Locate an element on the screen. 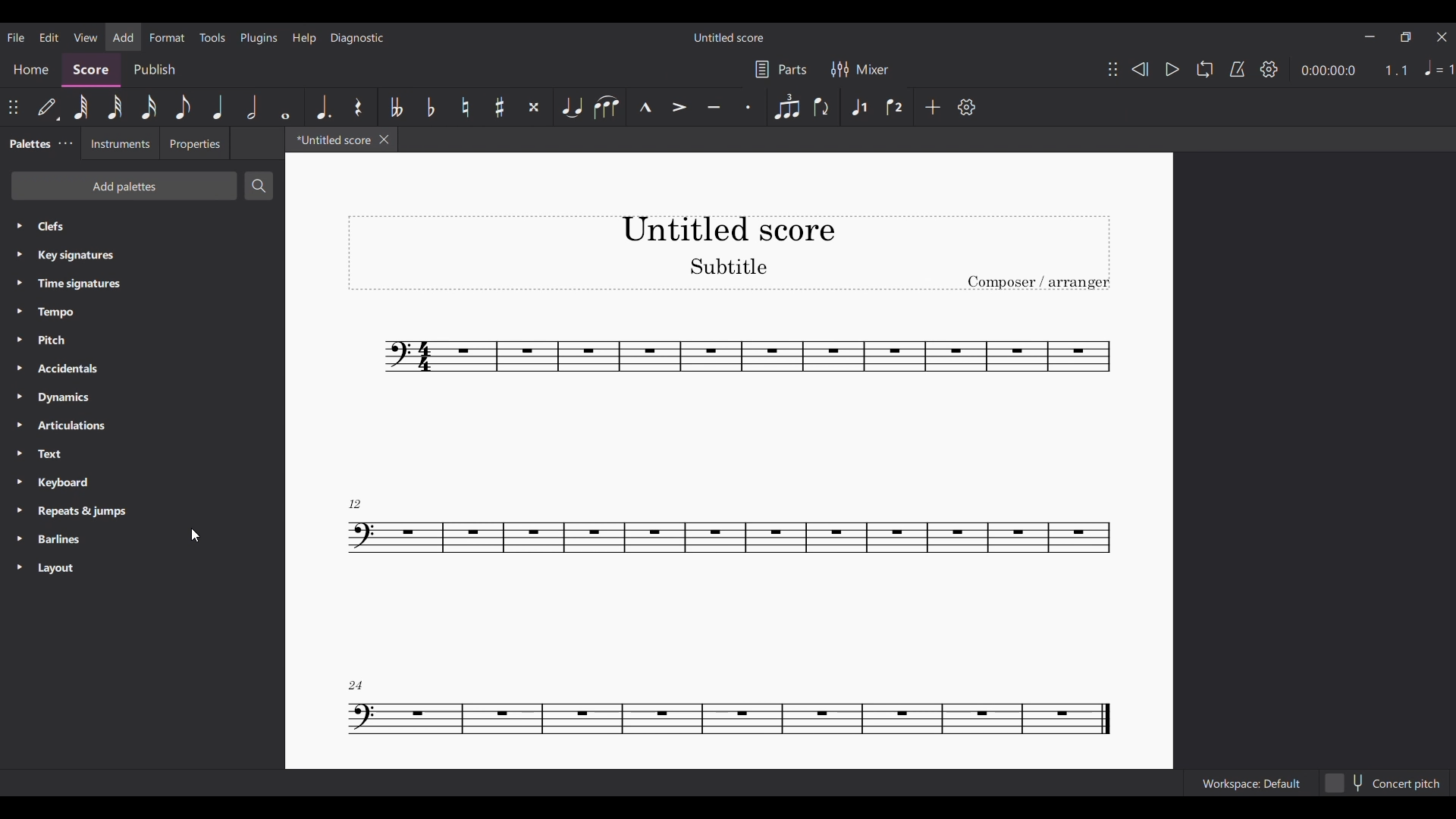 This screenshot has width=1456, height=819. edit is located at coordinates (46, 106).